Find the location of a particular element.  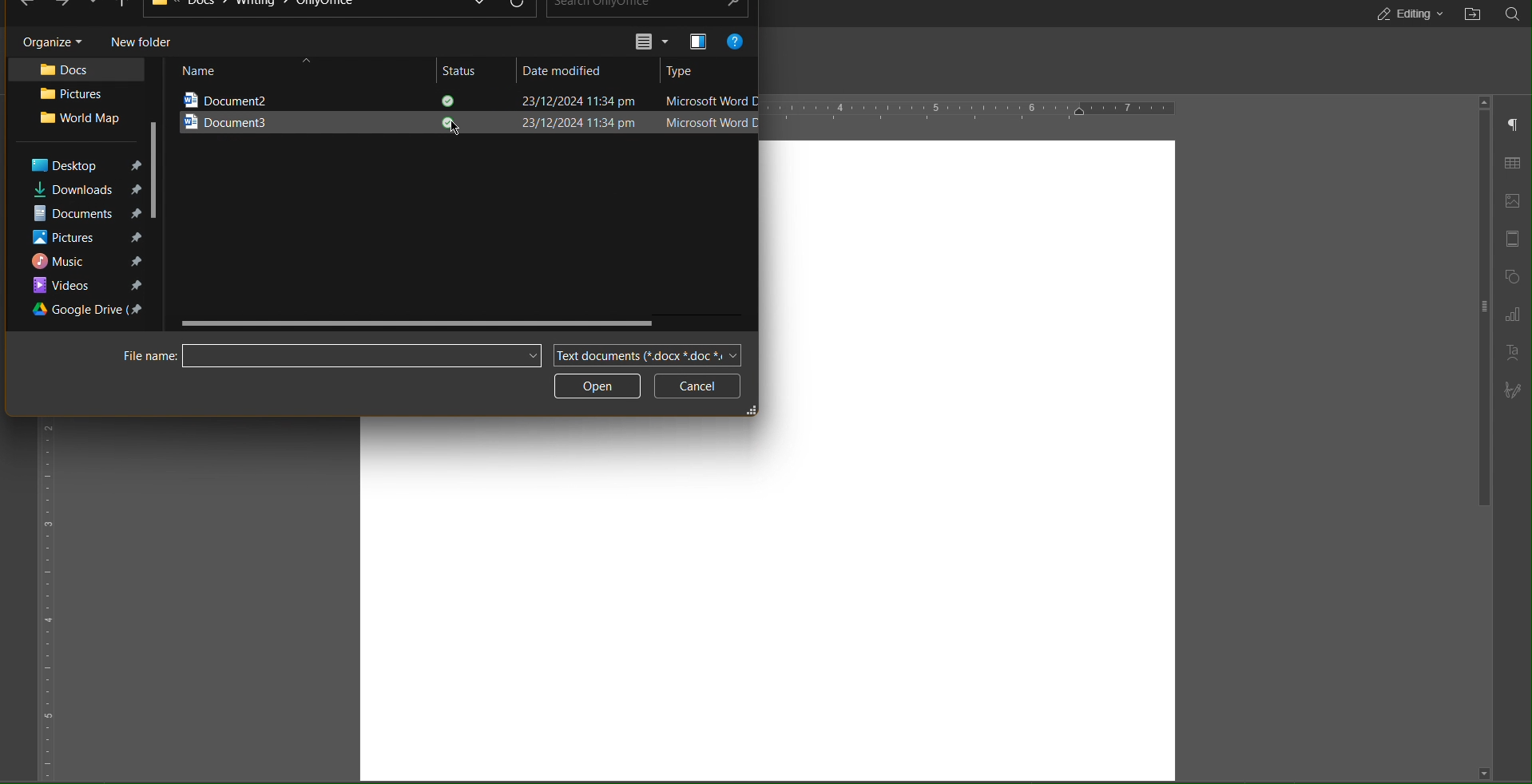

Open File Location is located at coordinates (1471, 14).